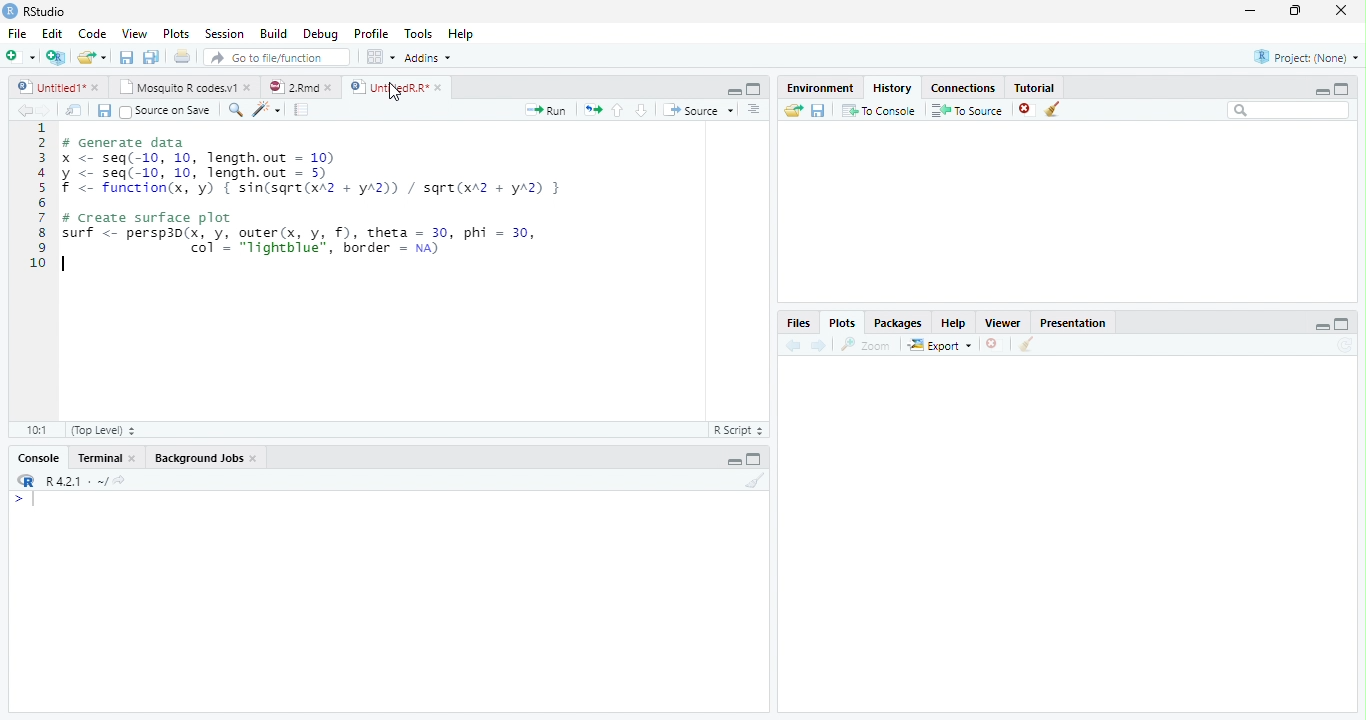  What do you see at coordinates (48, 86) in the screenshot?
I see `Untitled1*` at bounding box center [48, 86].